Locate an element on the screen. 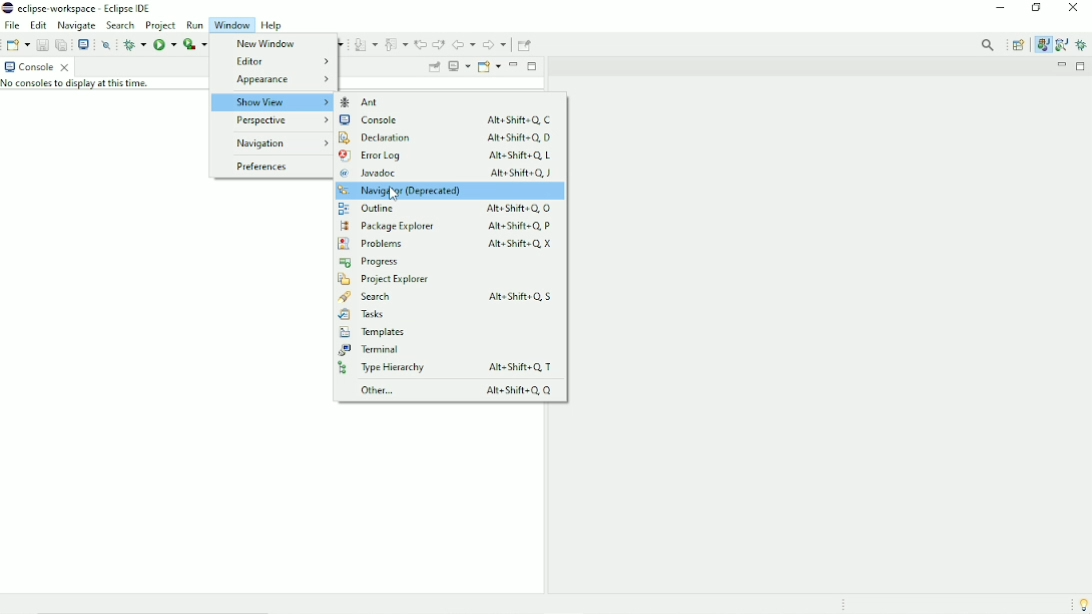 The height and width of the screenshot is (614, 1092). Open Perspective is located at coordinates (1018, 45).